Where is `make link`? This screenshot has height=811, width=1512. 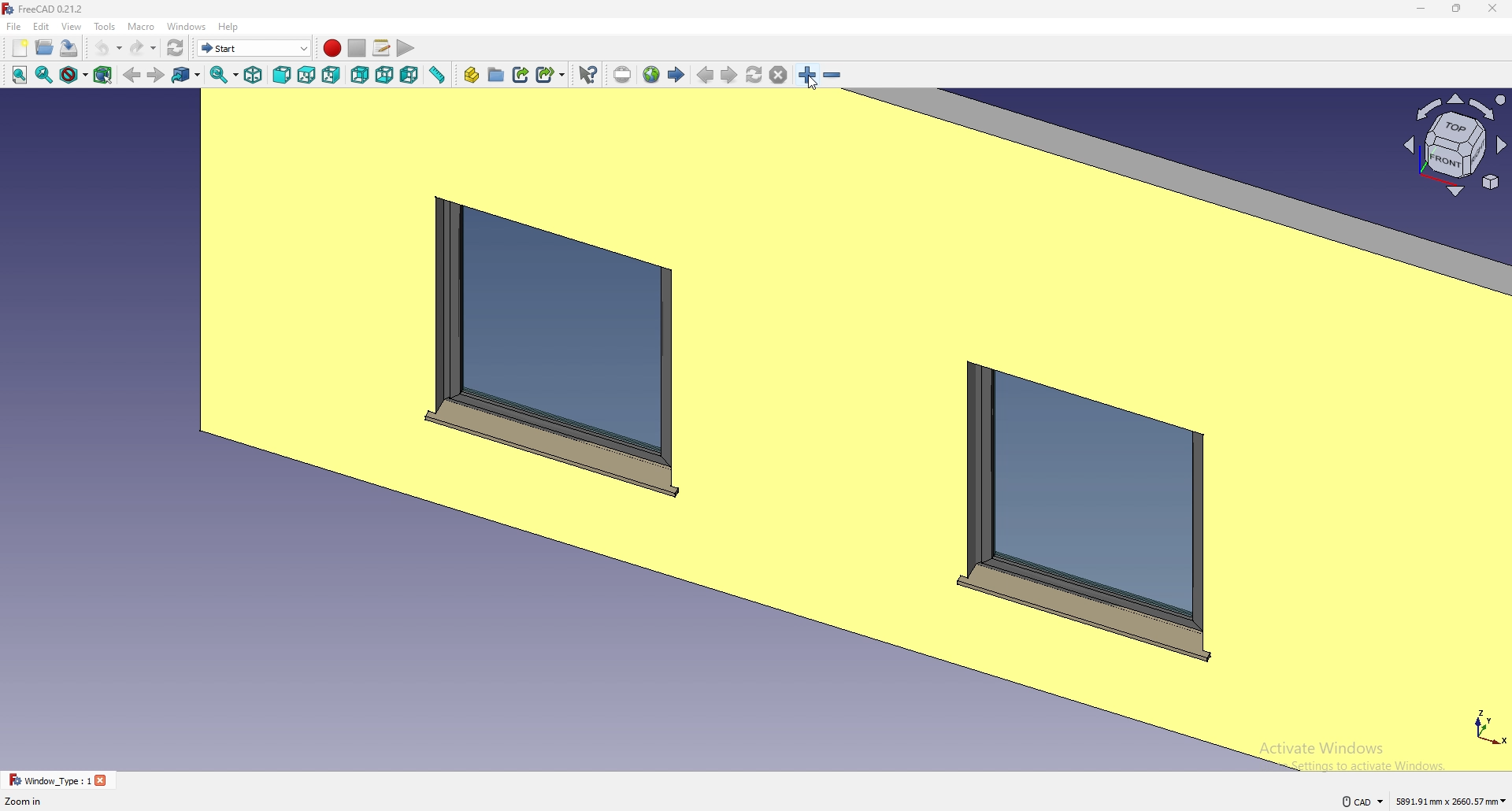
make link is located at coordinates (521, 74).